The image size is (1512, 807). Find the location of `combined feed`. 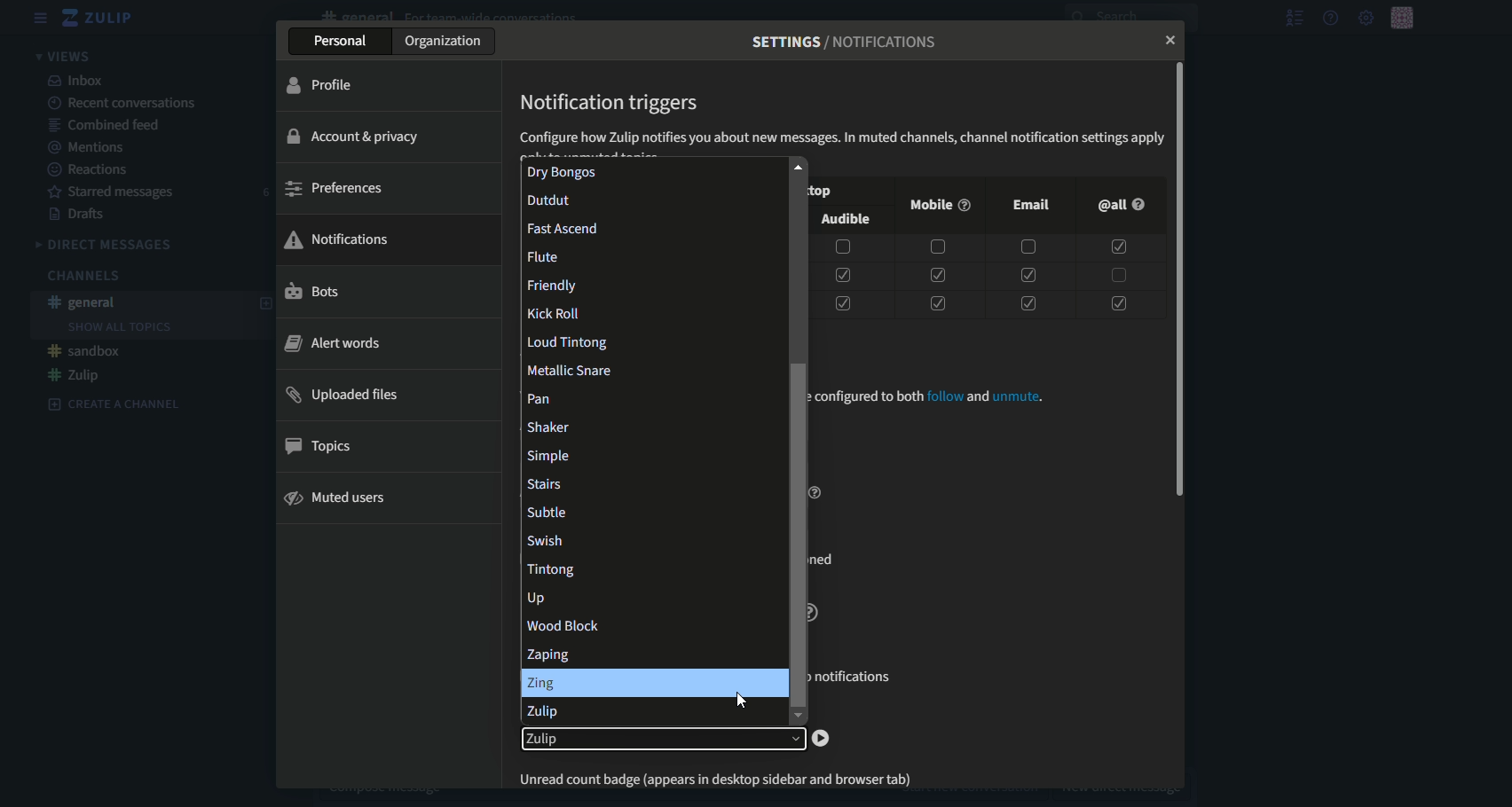

combined feed is located at coordinates (108, 124).